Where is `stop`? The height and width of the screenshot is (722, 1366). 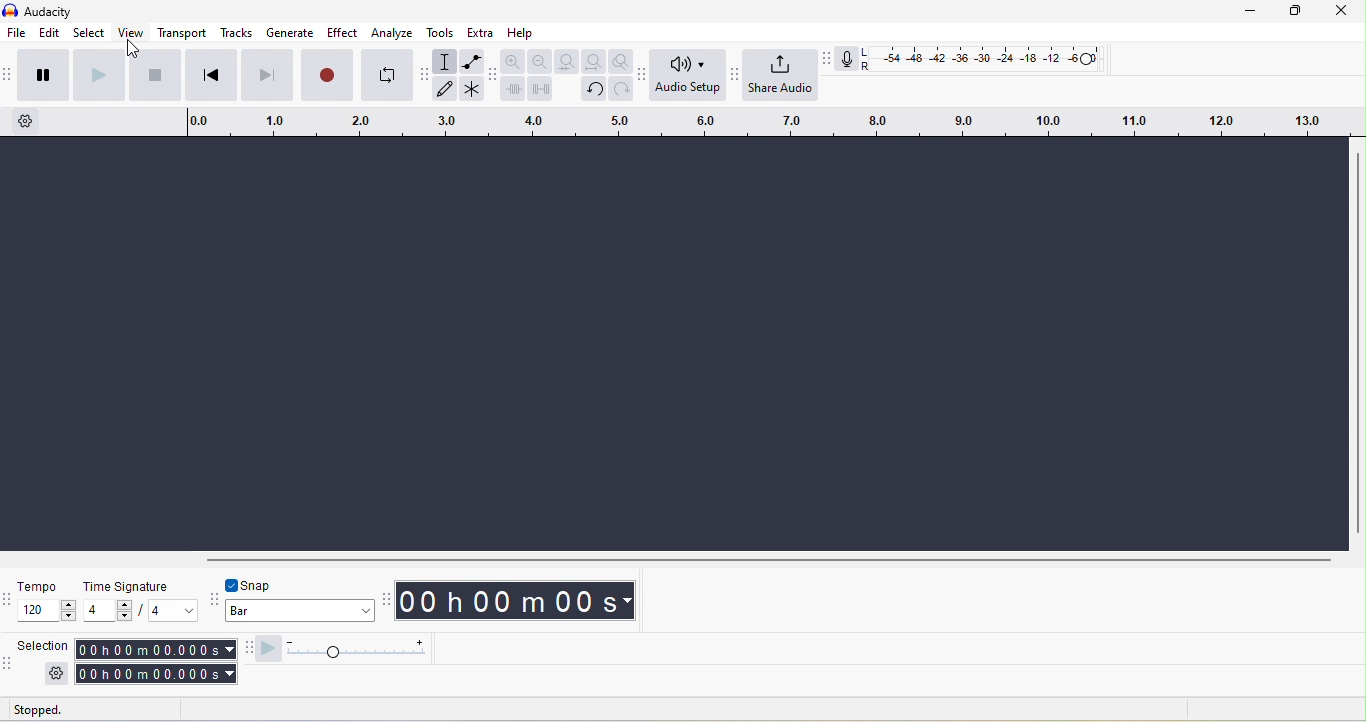 stop is located at coordinates (155, 76).